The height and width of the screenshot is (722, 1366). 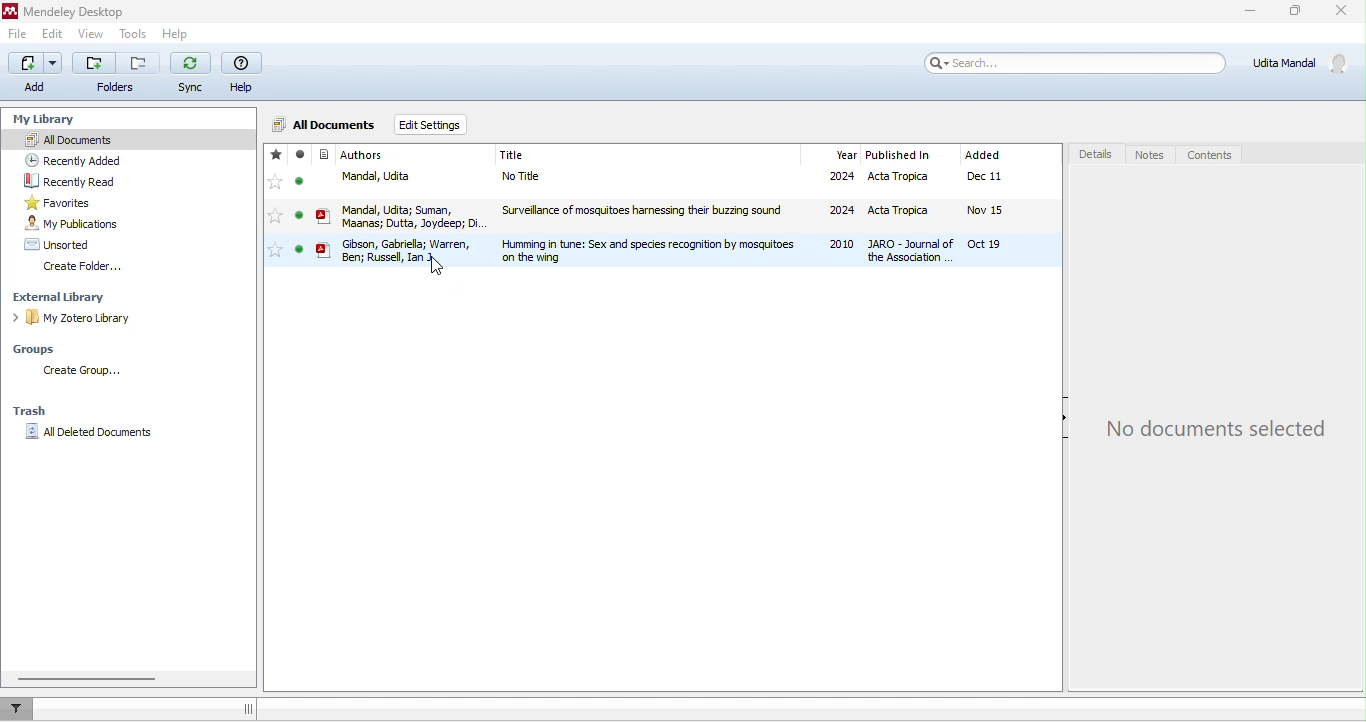 What do you see at coordinates (364, 156) in the screenshot?
I see `journal authors name` at bounding box center [364, 156].